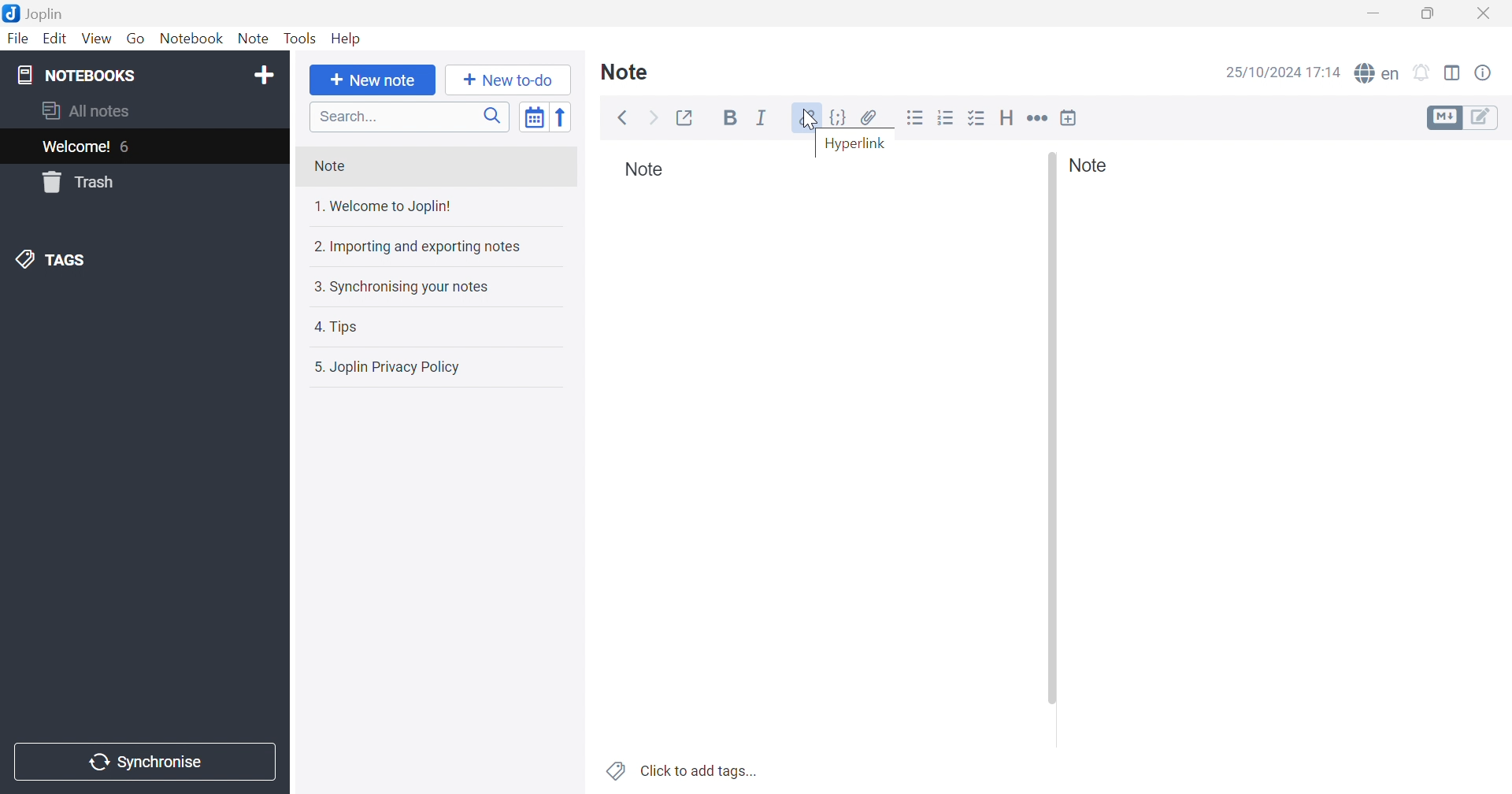 Image resolution: width=1512 pixels, height=794 pixels. What do you see at coordinates (192, 39) in the screenshot?
I see `Notebook` at bounding box center [192, 39].